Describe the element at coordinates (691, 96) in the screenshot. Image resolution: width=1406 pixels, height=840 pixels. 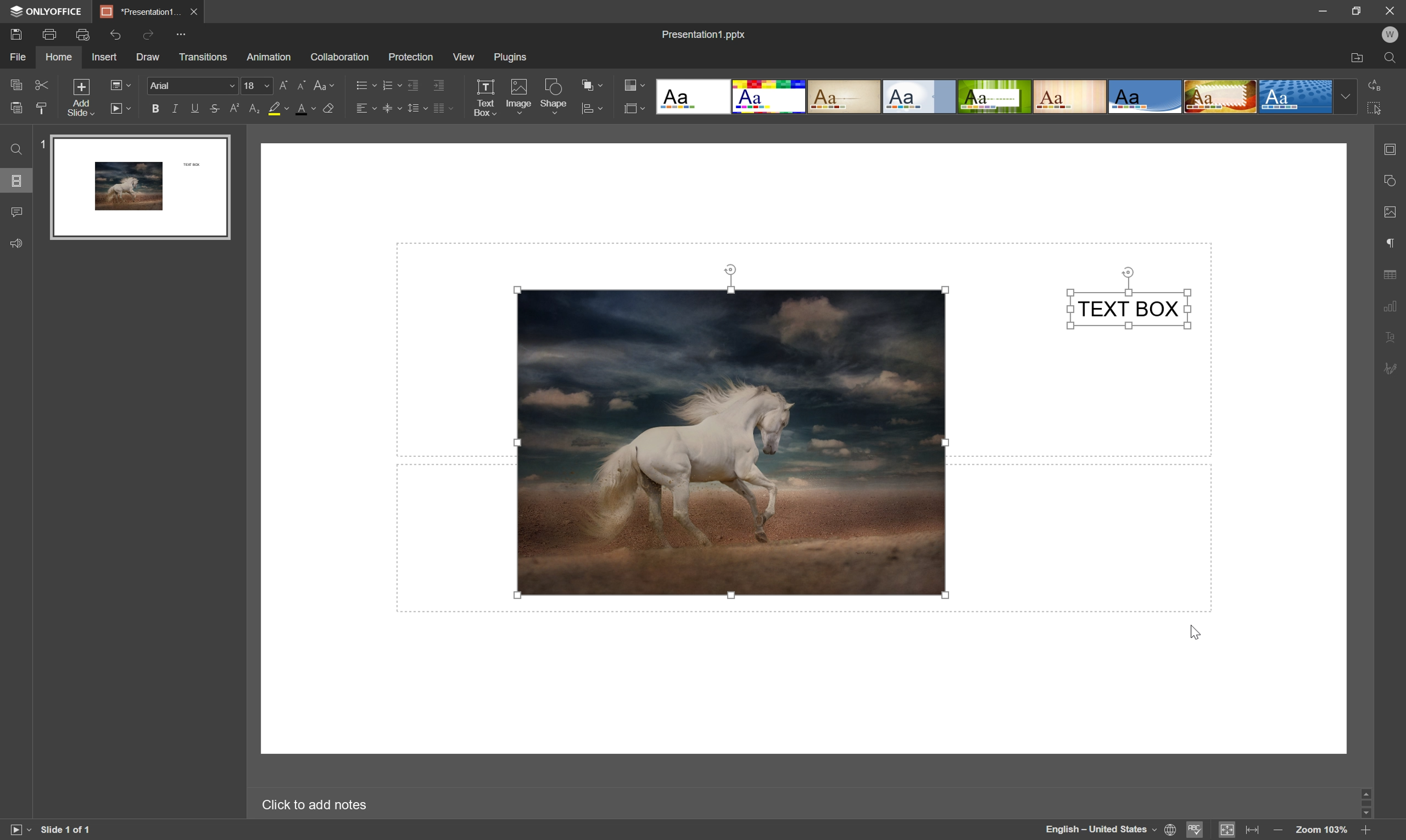
I see `Blank` at that location.